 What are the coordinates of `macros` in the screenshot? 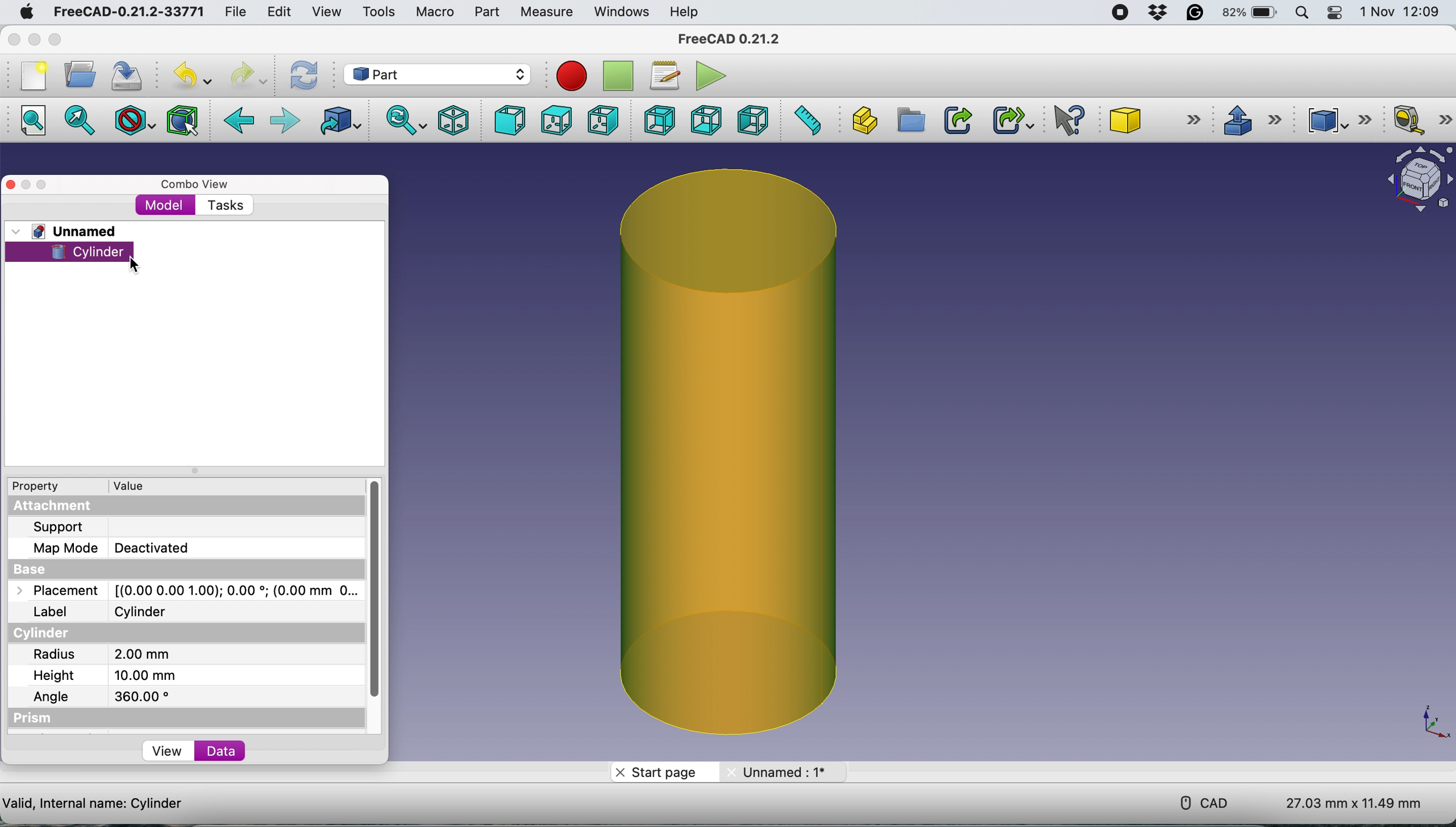 It's located at (664, 77).